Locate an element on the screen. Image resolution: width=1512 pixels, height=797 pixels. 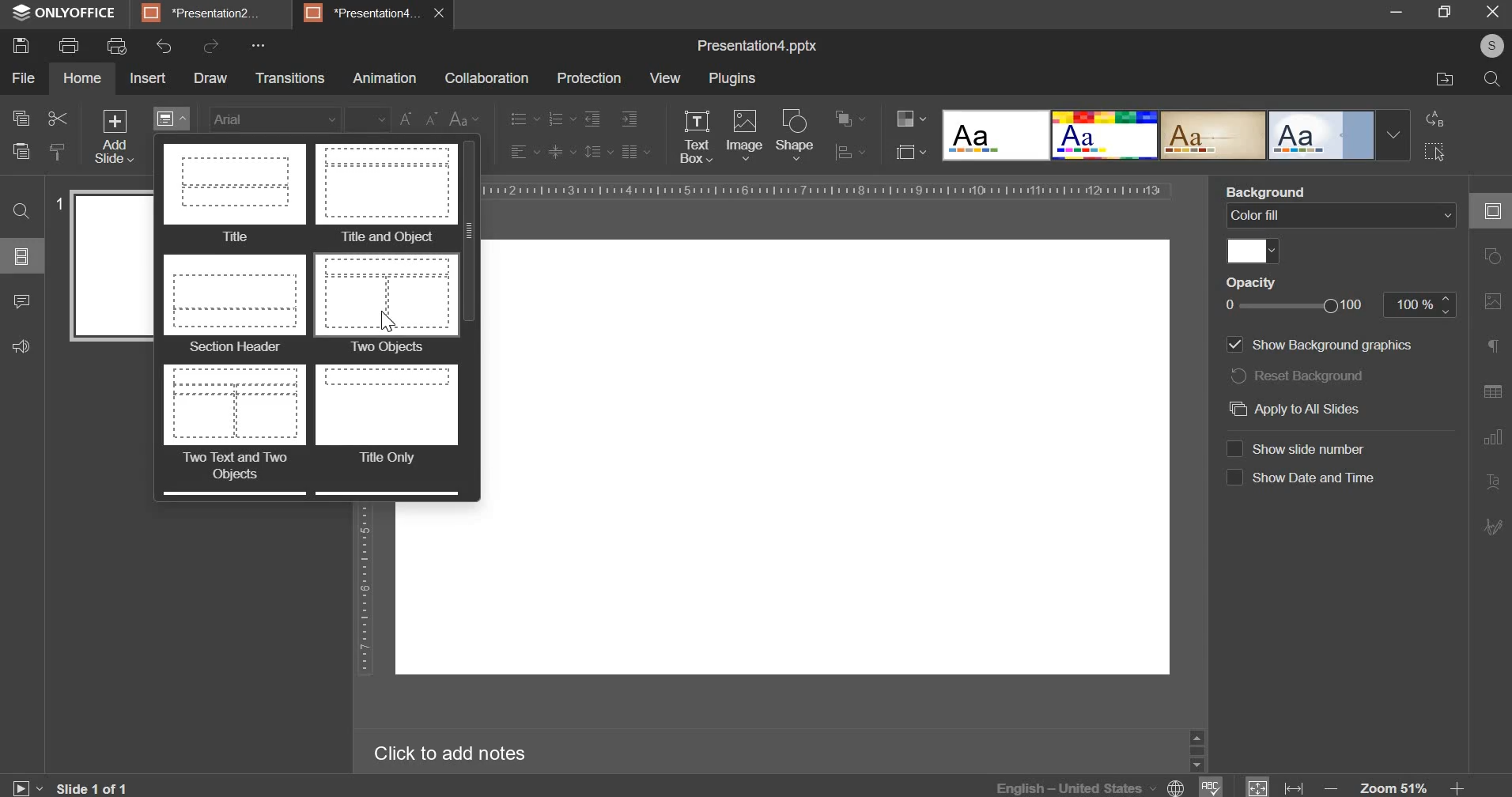
select is located at coordinates (1434, 150).